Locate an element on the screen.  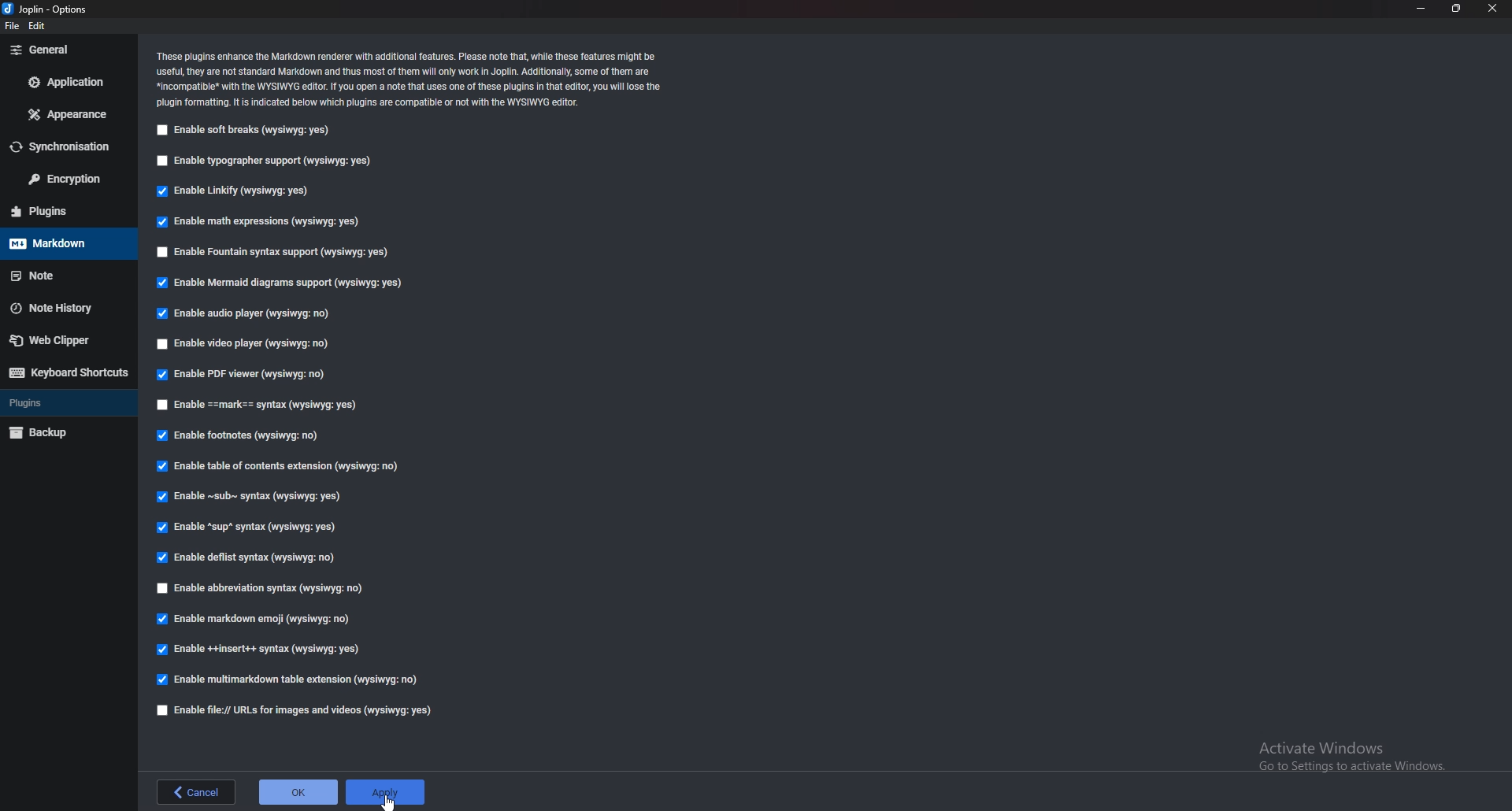
Enable linkify (wysiqyg:yes) is located at coordinates (237, 192).